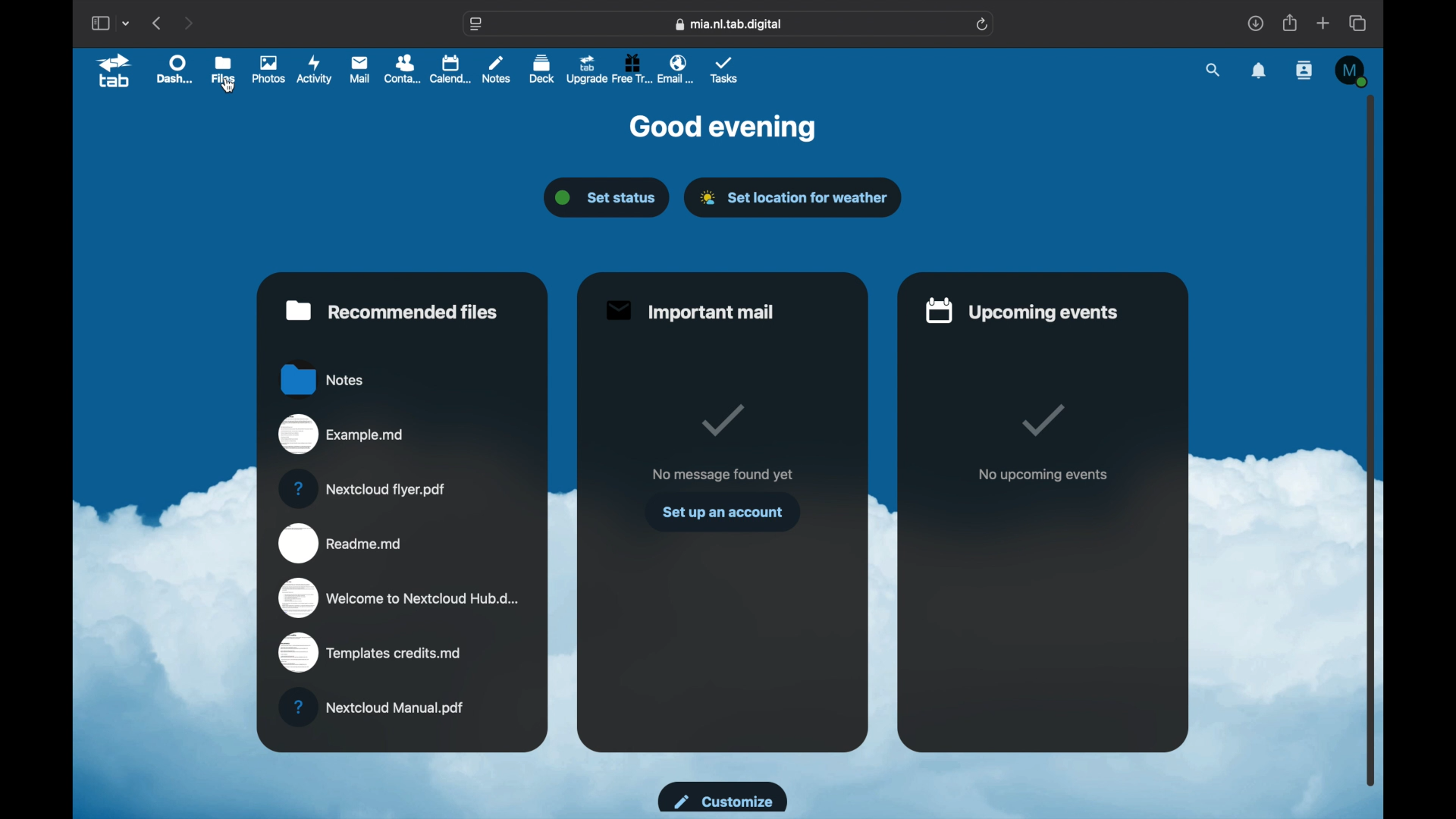 The width and height of the screenshot is (1456, 819). Describe the element at coordinates (722, 513) in the screenshot. I see `set up an account` at that location.